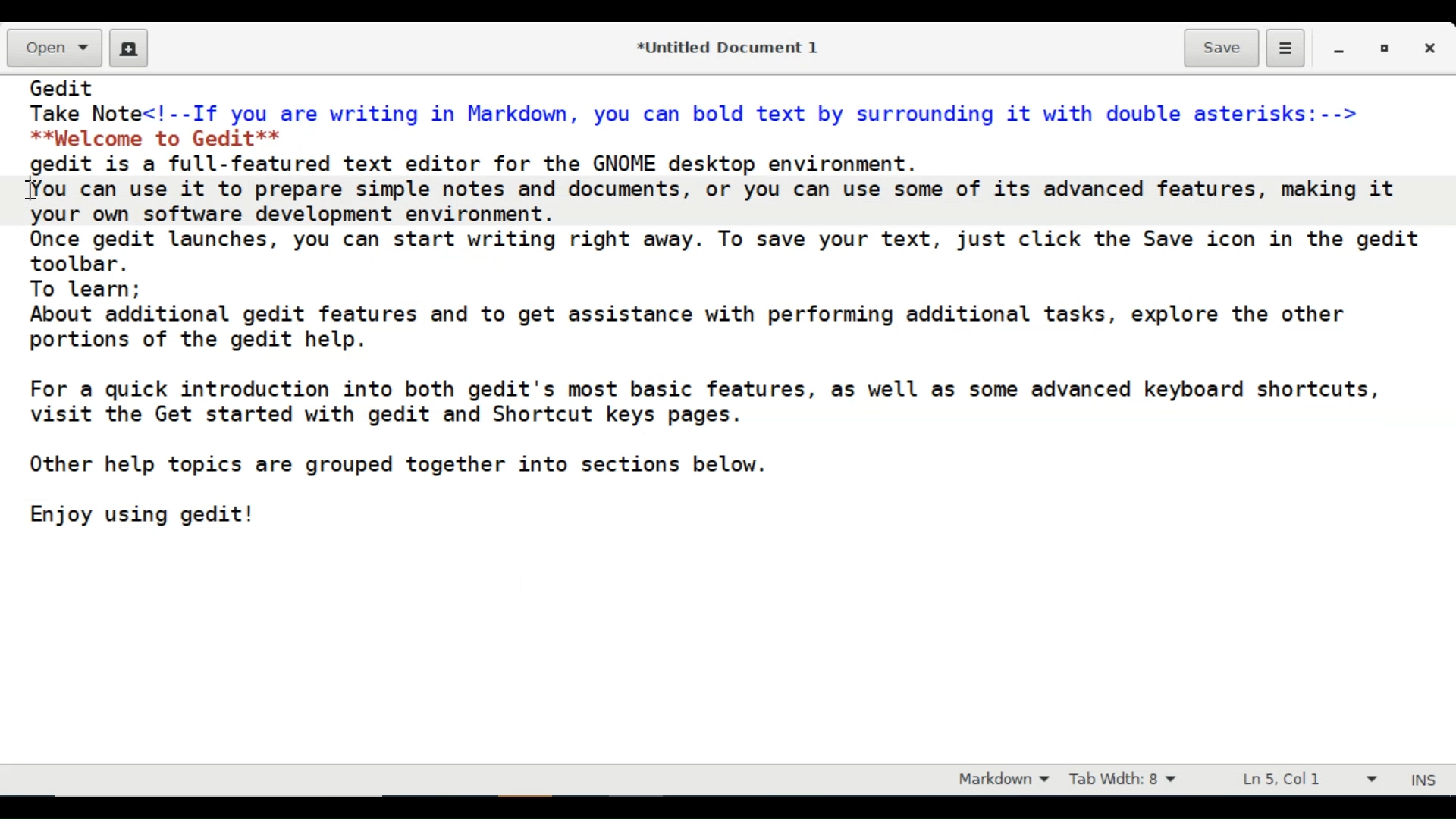 The width and height of the screenshot is (1456, 819). What do you see at coordinates (1305, 783) in the screenshot?
I see `Line & Column Preference` at bounding box center [1305, 783].